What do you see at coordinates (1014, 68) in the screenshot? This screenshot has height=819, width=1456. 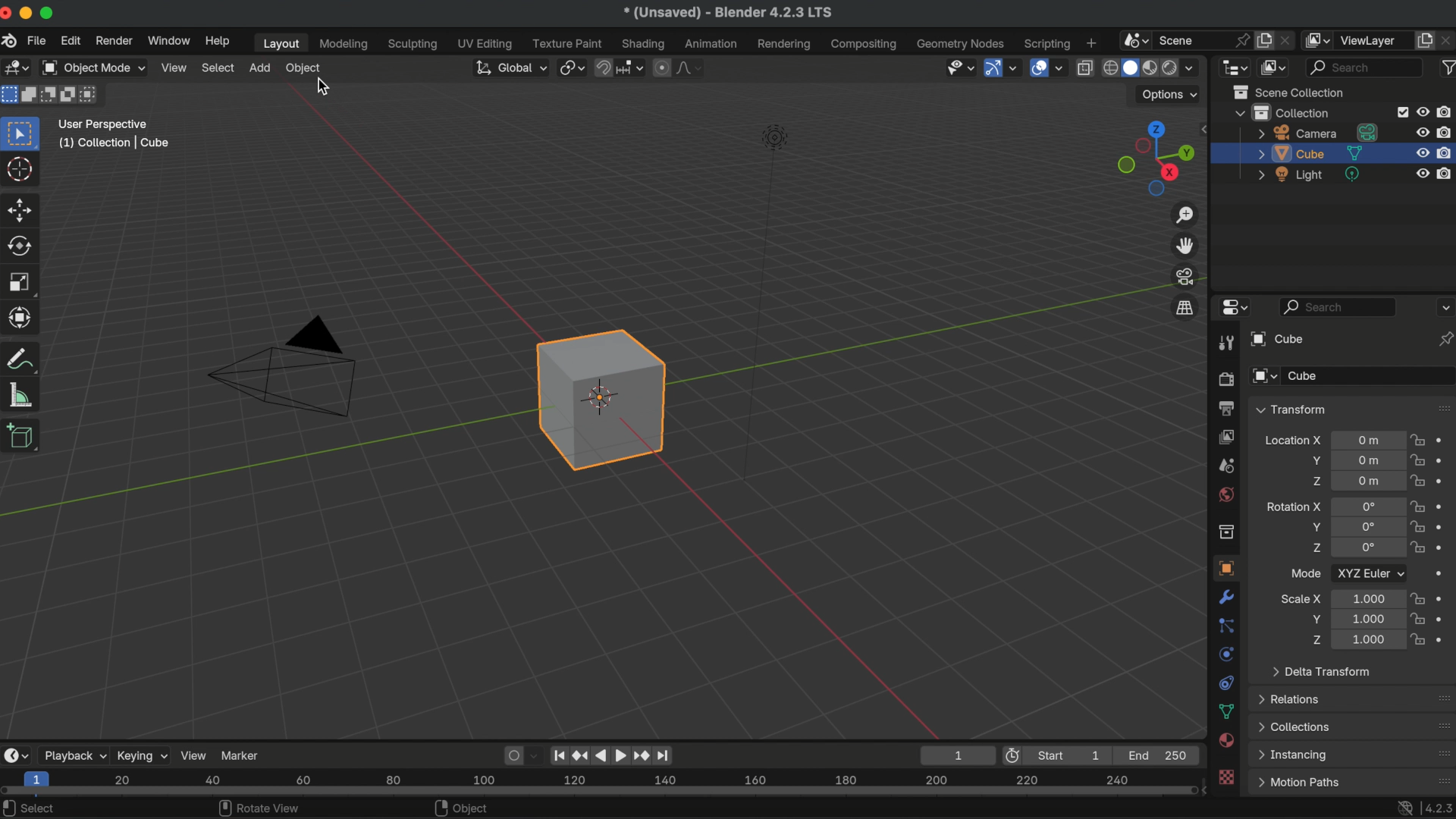 I see `gizmos` at bounding box center [1014, 68].